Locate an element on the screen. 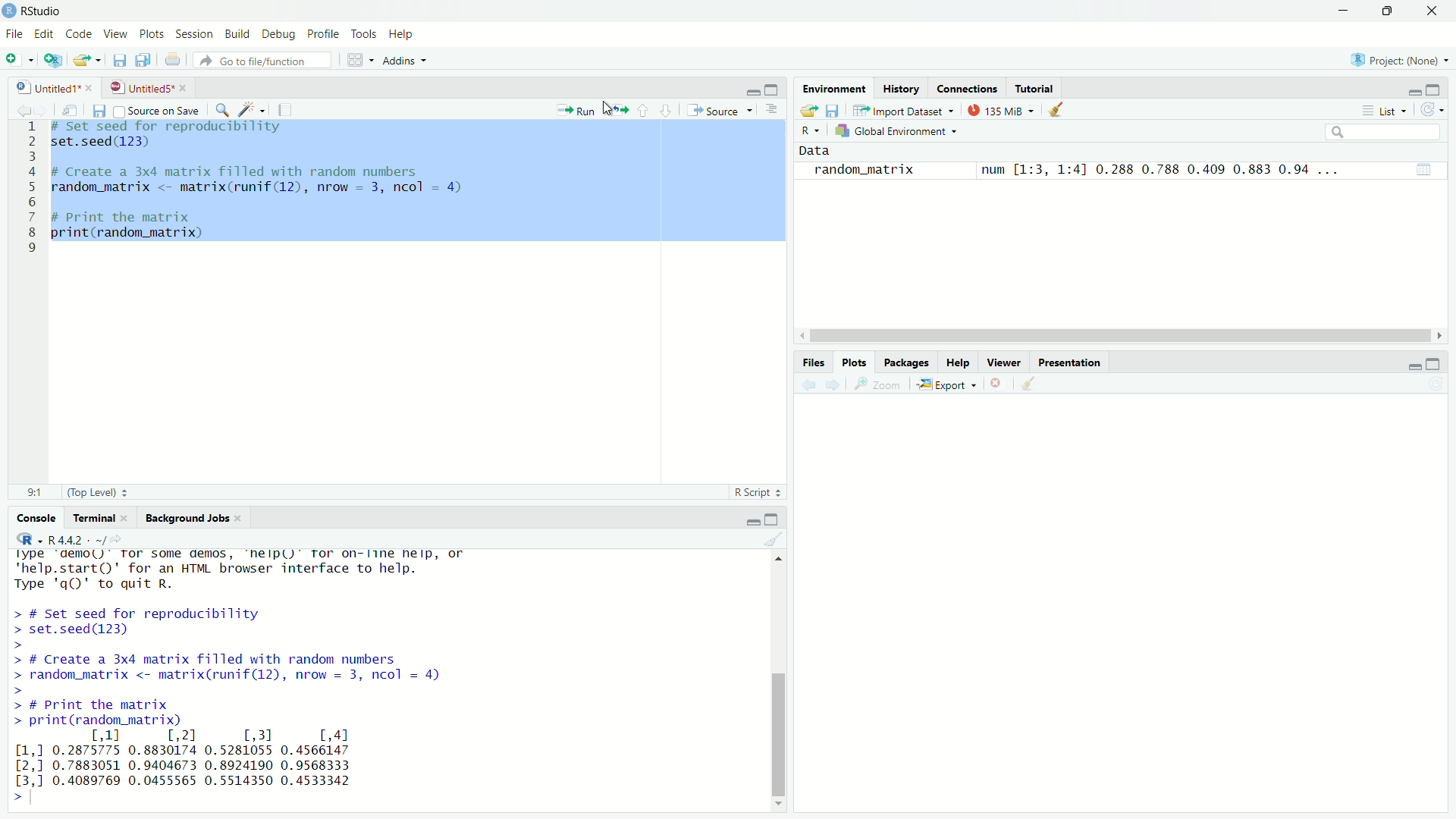 This screenshot has height=819, width=1456. 1 # Set seed for reproducibility

2 set.seed(123)

3

4 # Create a 3x4 matrix filled with random numbers

5 random_matrix <- matrix(runif(12), nrow = 3, ncol = 4)
6

7 # Print the matrix

8 print(random_matrix) 1

9 is located at coordinates (273, 190).